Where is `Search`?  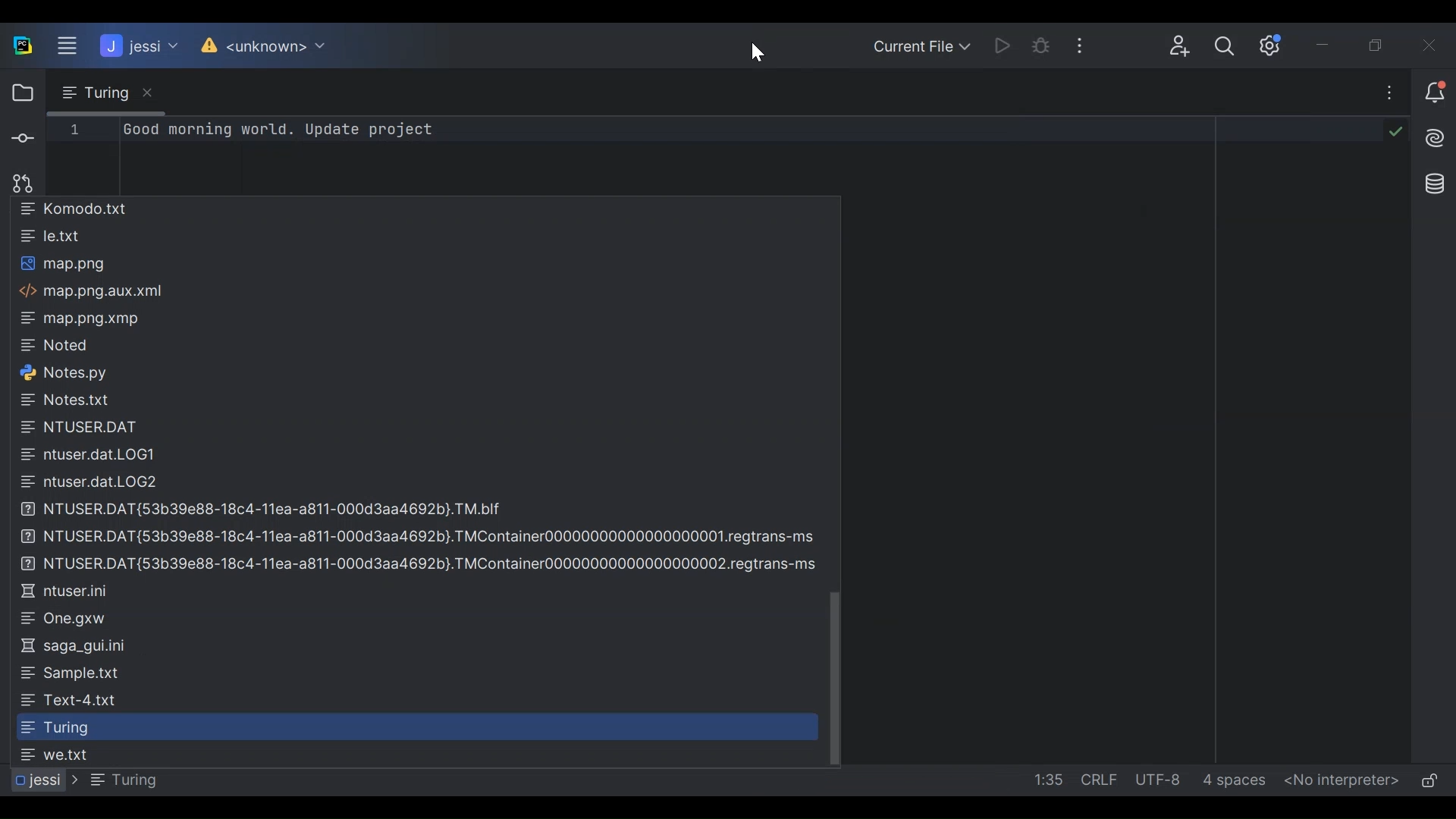
Search is located at coordinates (1225, 49).